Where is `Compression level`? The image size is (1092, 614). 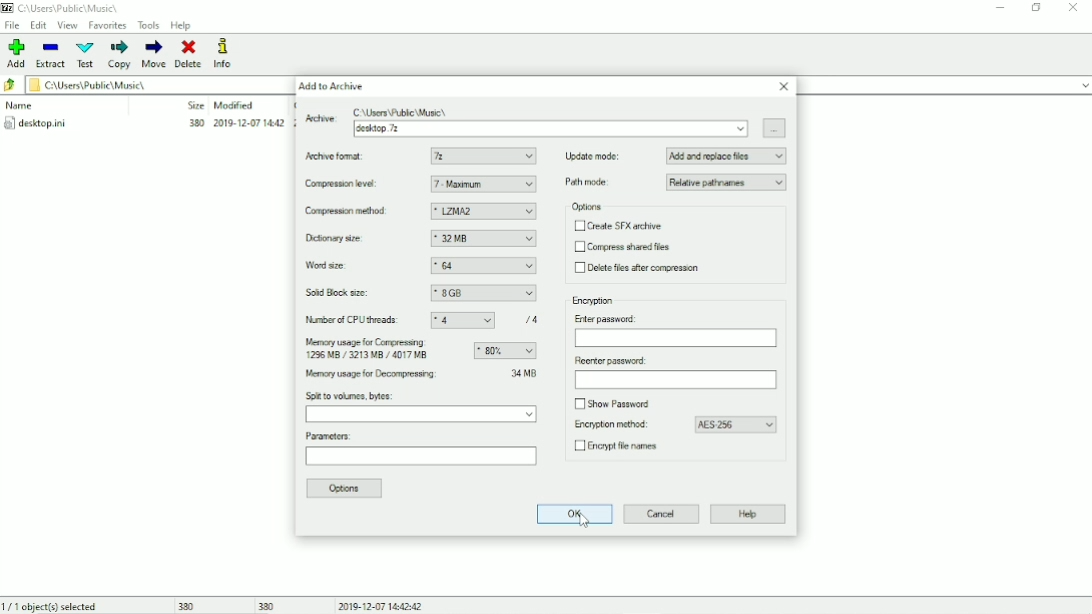
Compression level is located at coordinates (346, 185).